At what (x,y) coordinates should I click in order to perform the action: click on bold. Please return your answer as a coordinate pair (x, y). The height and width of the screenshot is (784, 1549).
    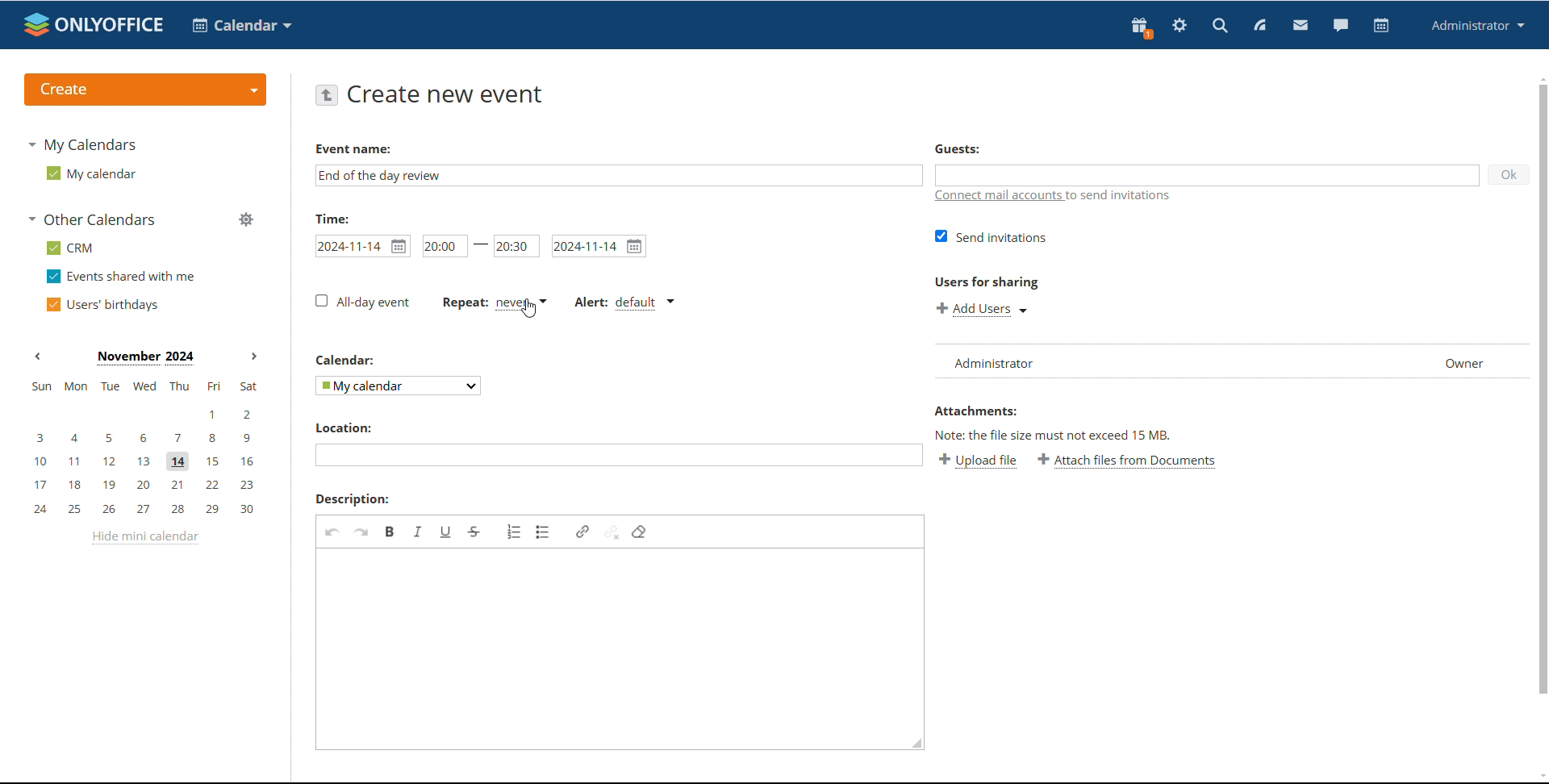
    Looking at the image, I should click on (390, 531).